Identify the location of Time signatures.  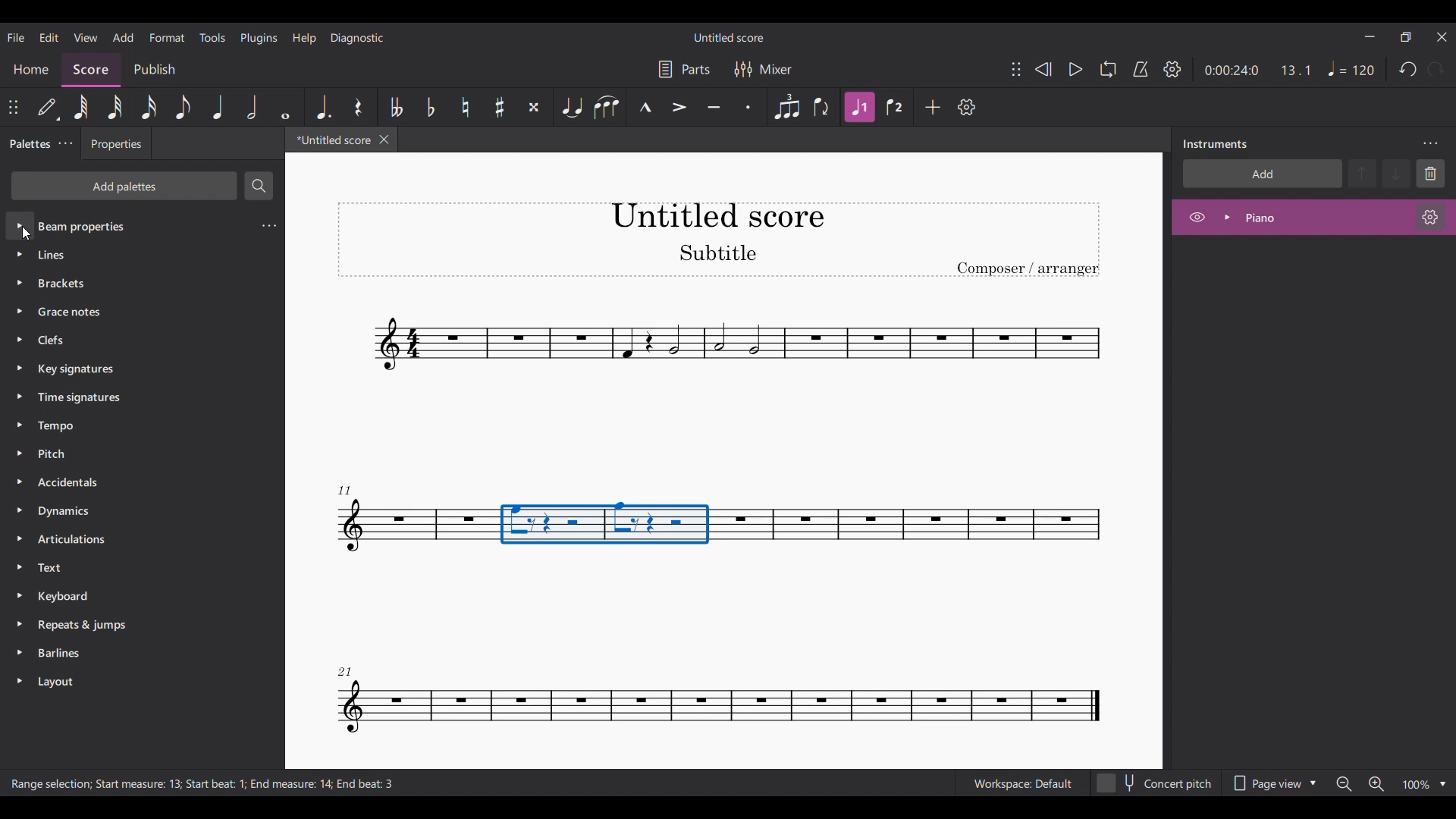
(136, 397).